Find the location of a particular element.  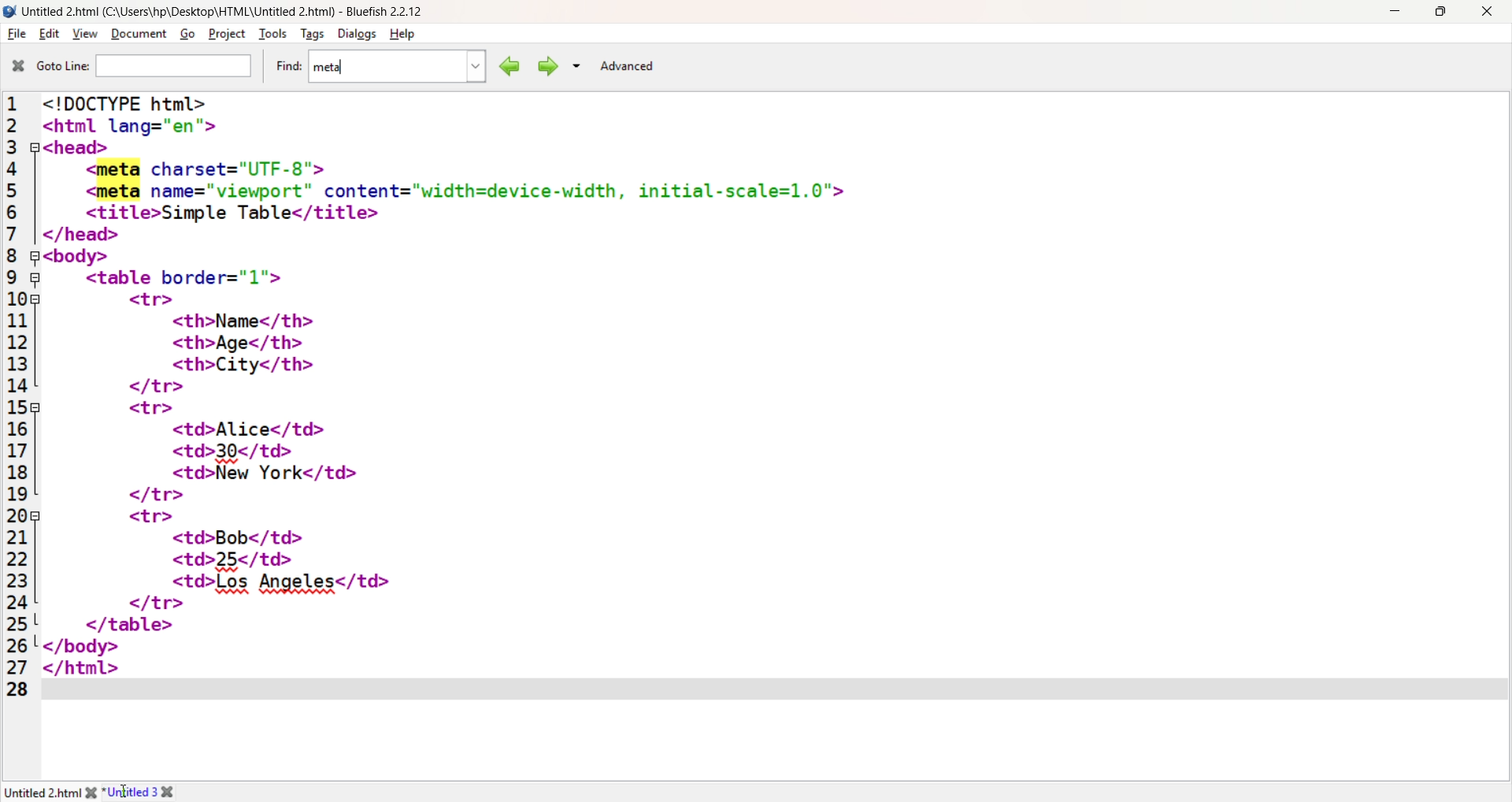

Edit is located at coordinates (46, 34).